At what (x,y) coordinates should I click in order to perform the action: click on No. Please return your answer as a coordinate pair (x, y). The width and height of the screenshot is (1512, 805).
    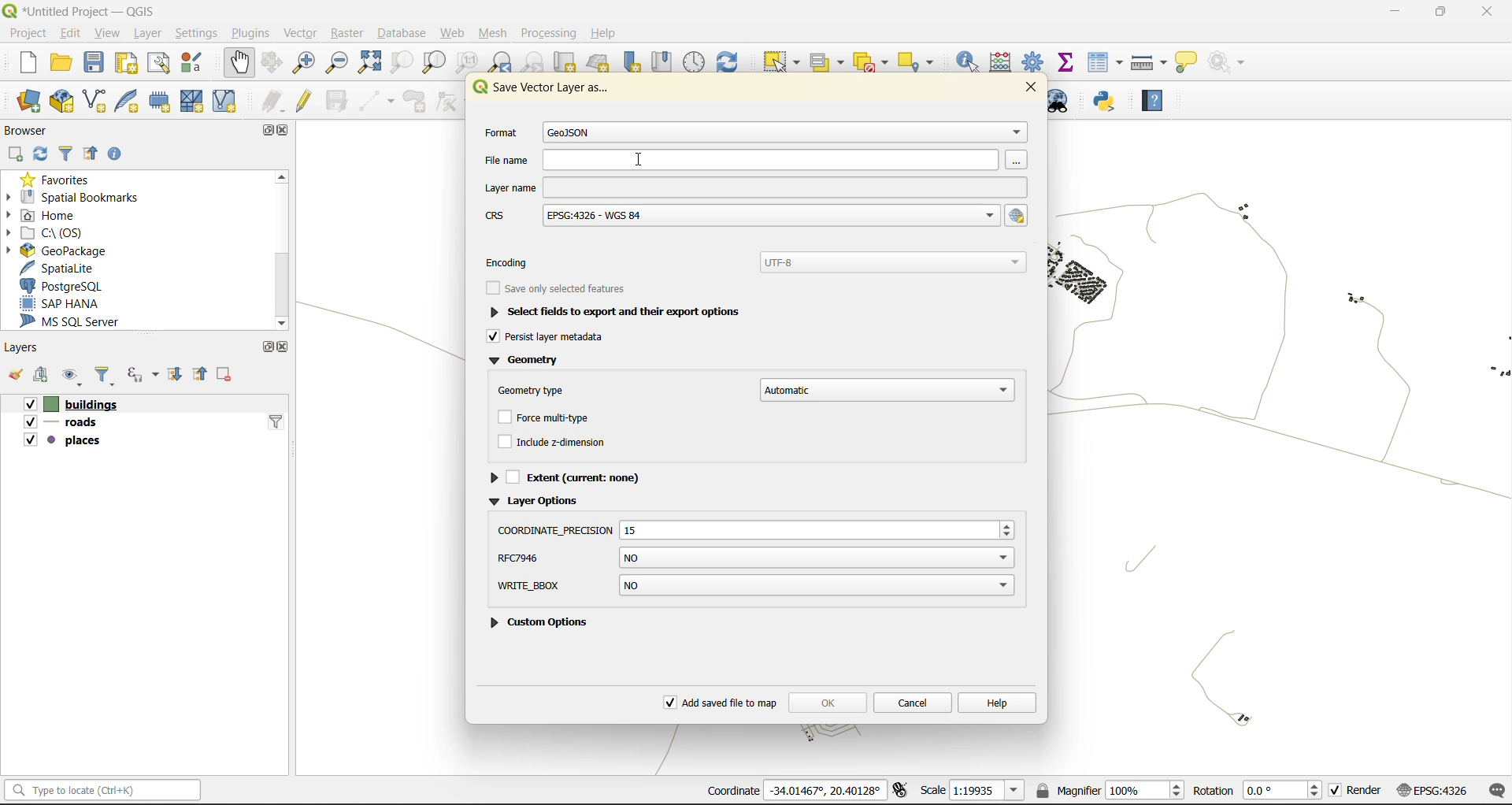
    Looking at the image, I should click on (817, 585).